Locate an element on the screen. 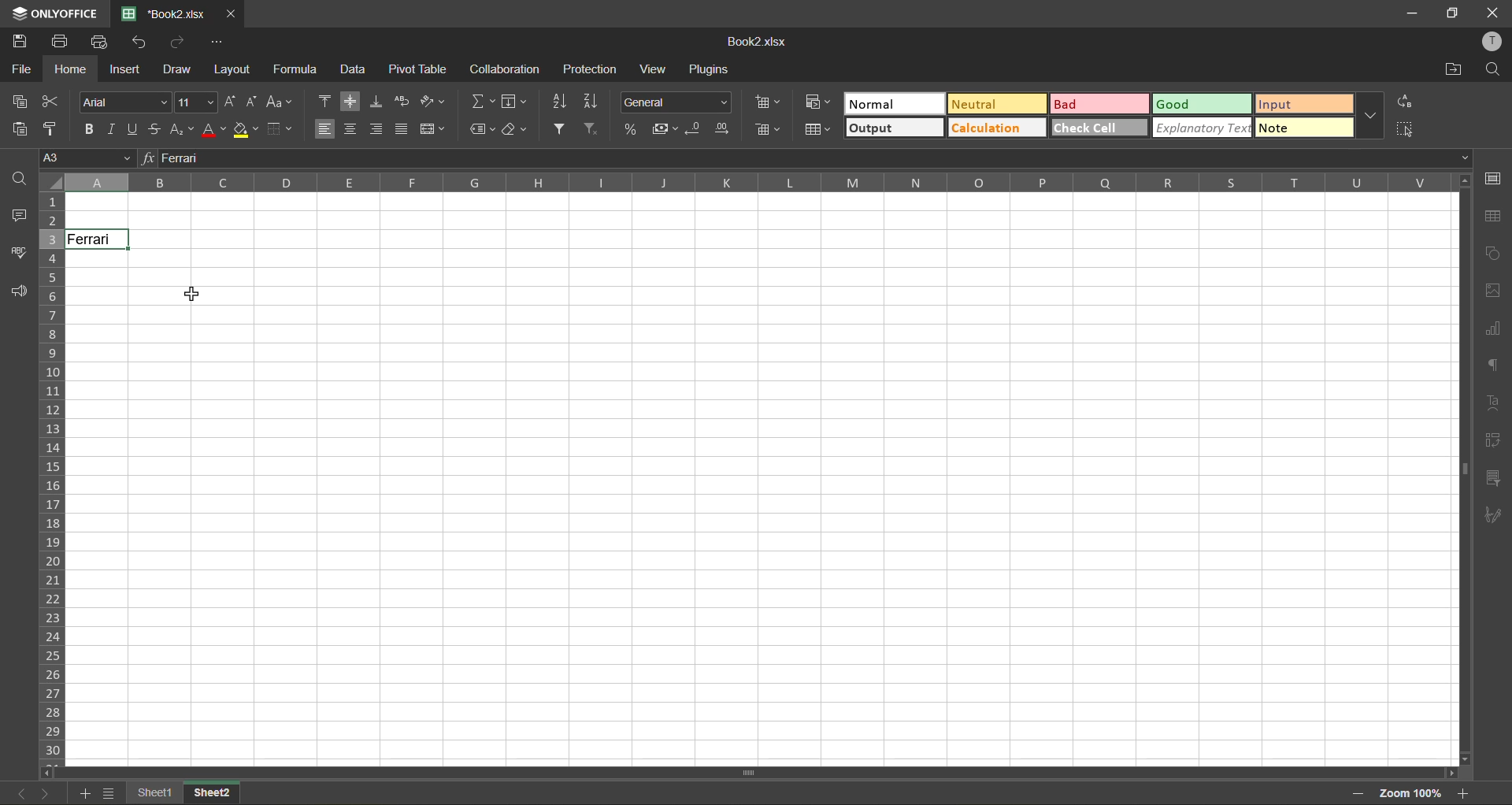  increment size is located at coordinates (232, 101).